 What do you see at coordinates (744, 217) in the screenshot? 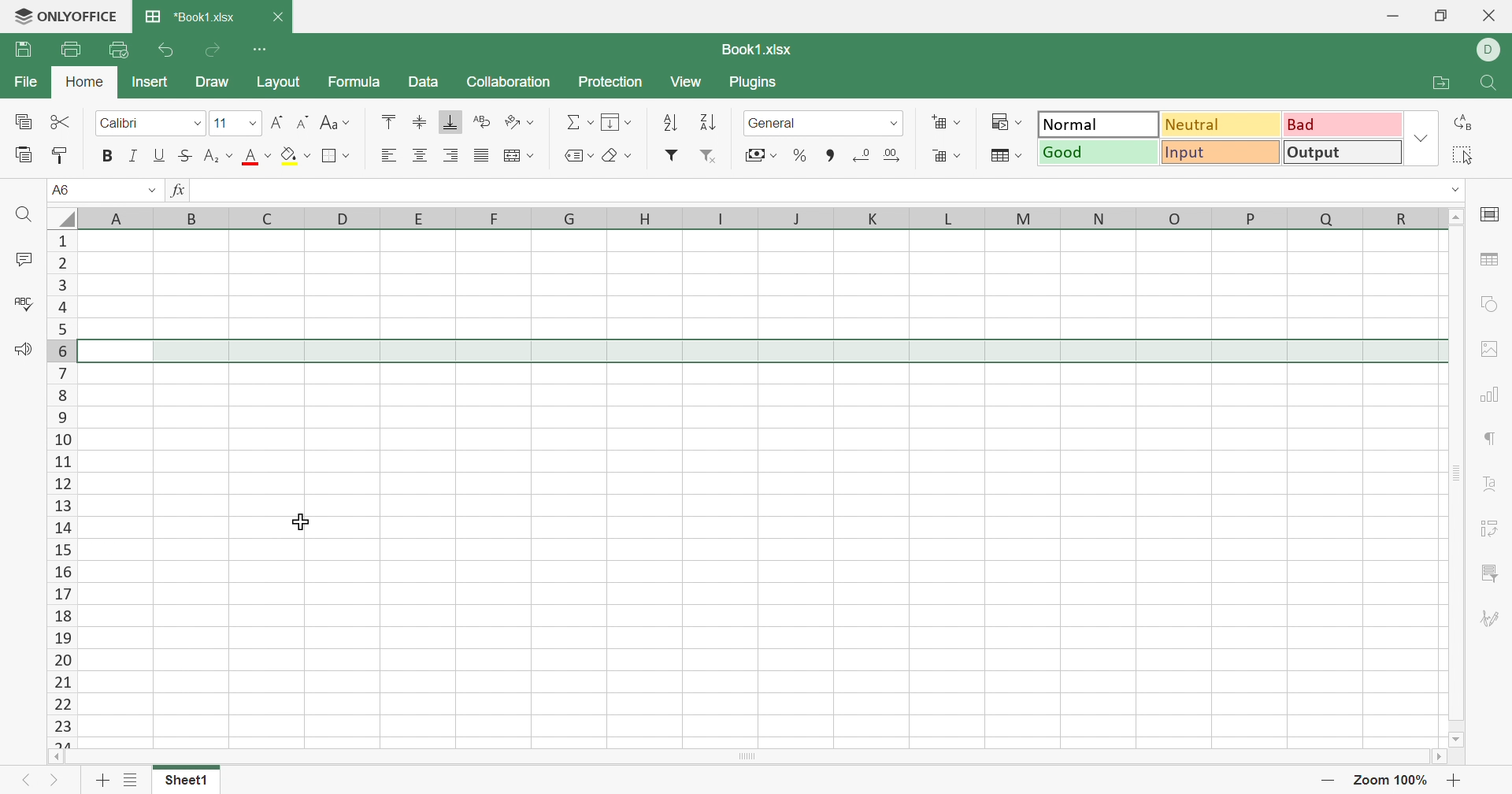
I see `Column Names` at bounding box center [744, 217].